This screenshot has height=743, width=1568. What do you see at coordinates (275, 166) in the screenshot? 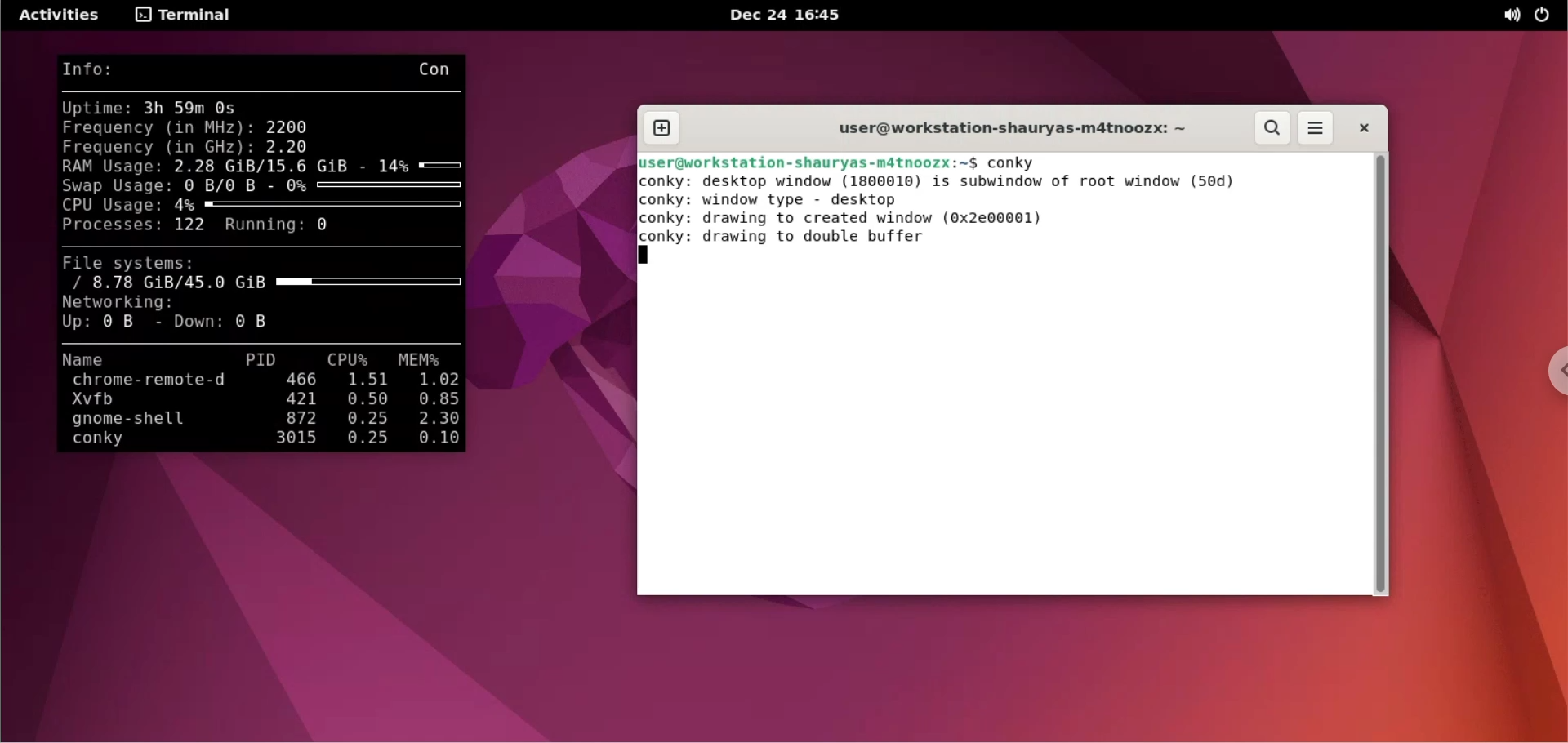
I see `2.28 GiB/15.6 GiB` at bounding box center [275, 166].